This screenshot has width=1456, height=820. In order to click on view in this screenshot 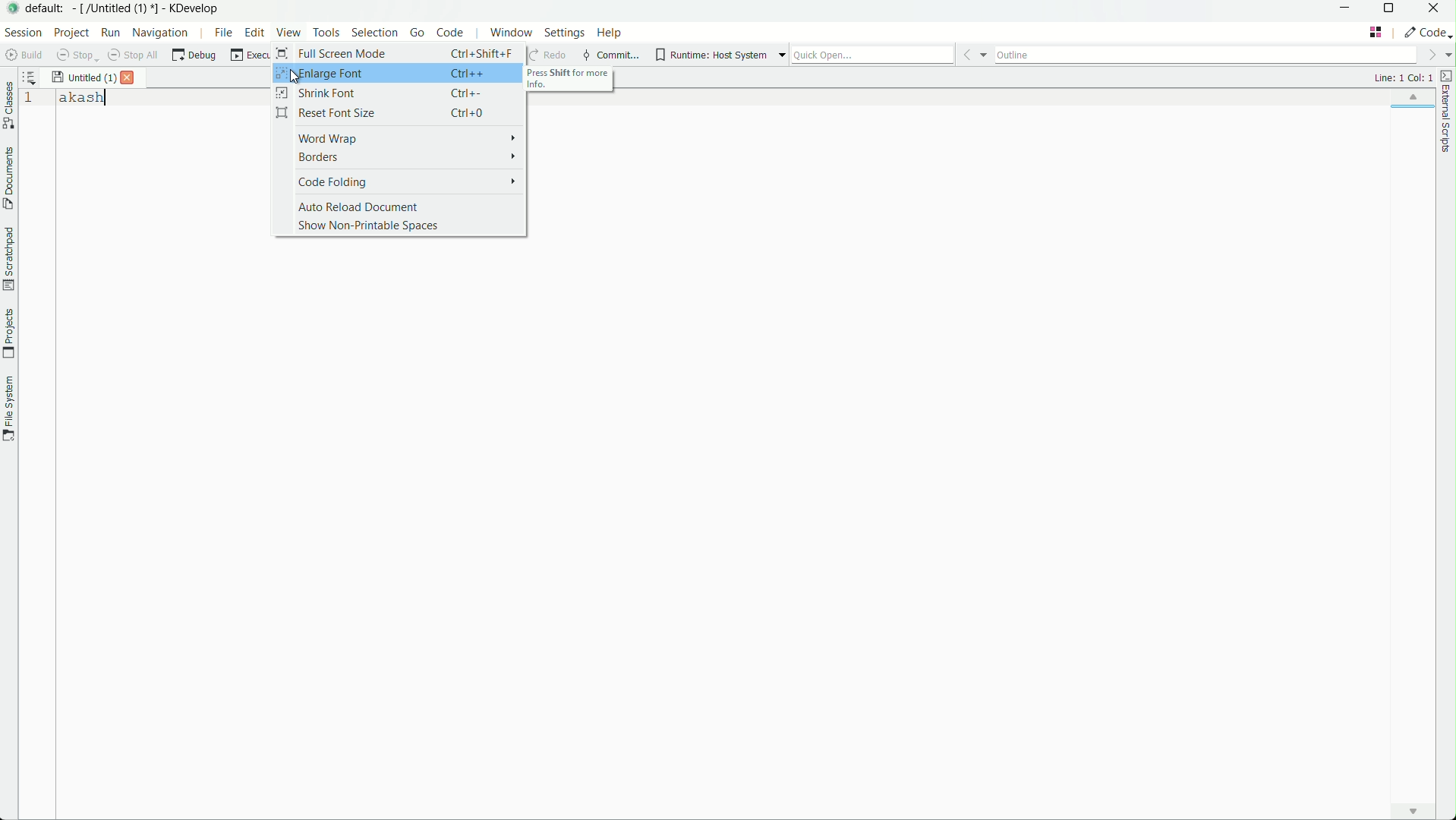, I will do `click(289, 33)`.